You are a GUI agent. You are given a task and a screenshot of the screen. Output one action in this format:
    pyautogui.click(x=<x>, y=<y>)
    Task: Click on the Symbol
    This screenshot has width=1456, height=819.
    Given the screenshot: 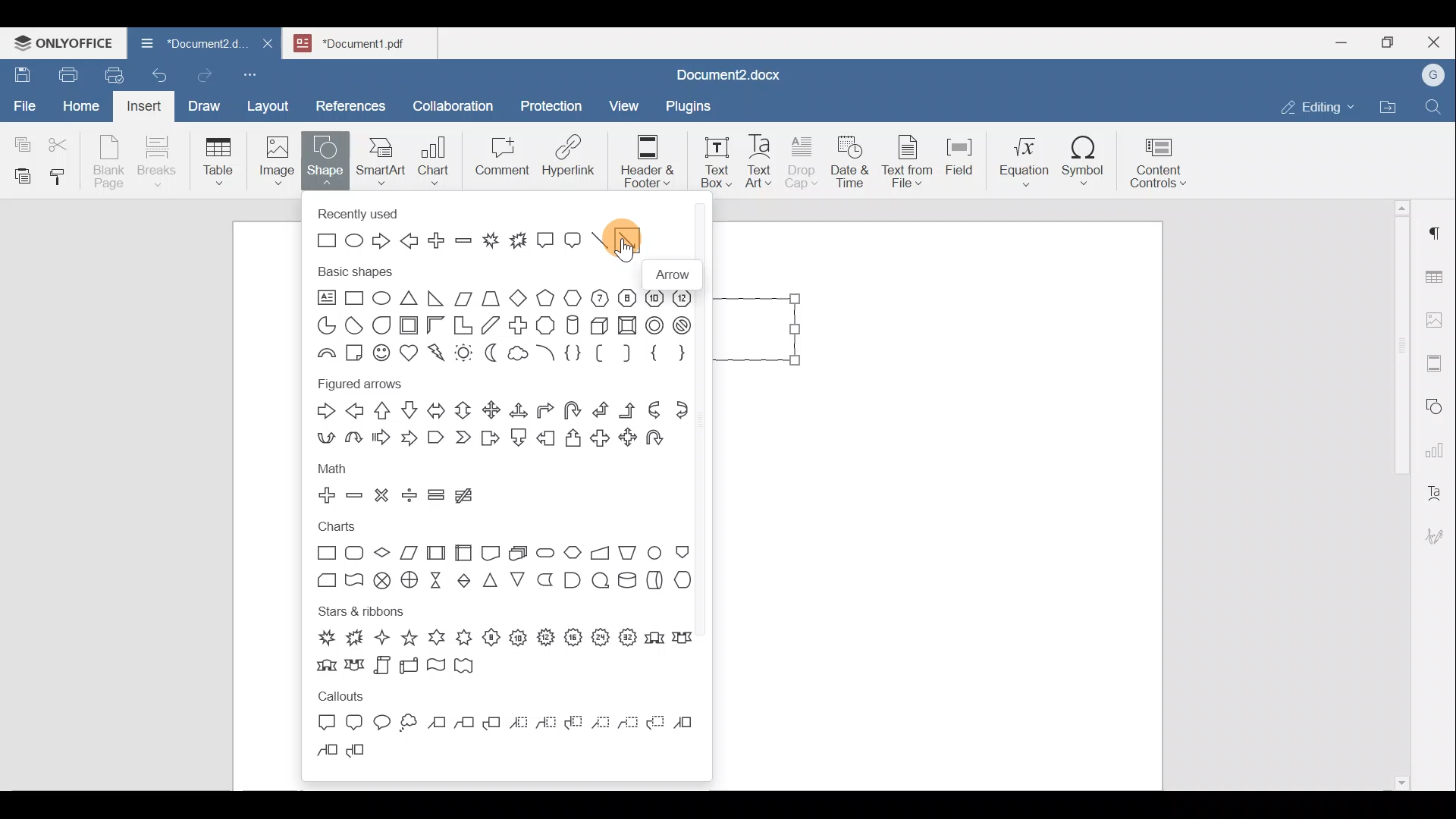 What is the action you would take?
    pyautogui.click(x=1084, y=165)
    